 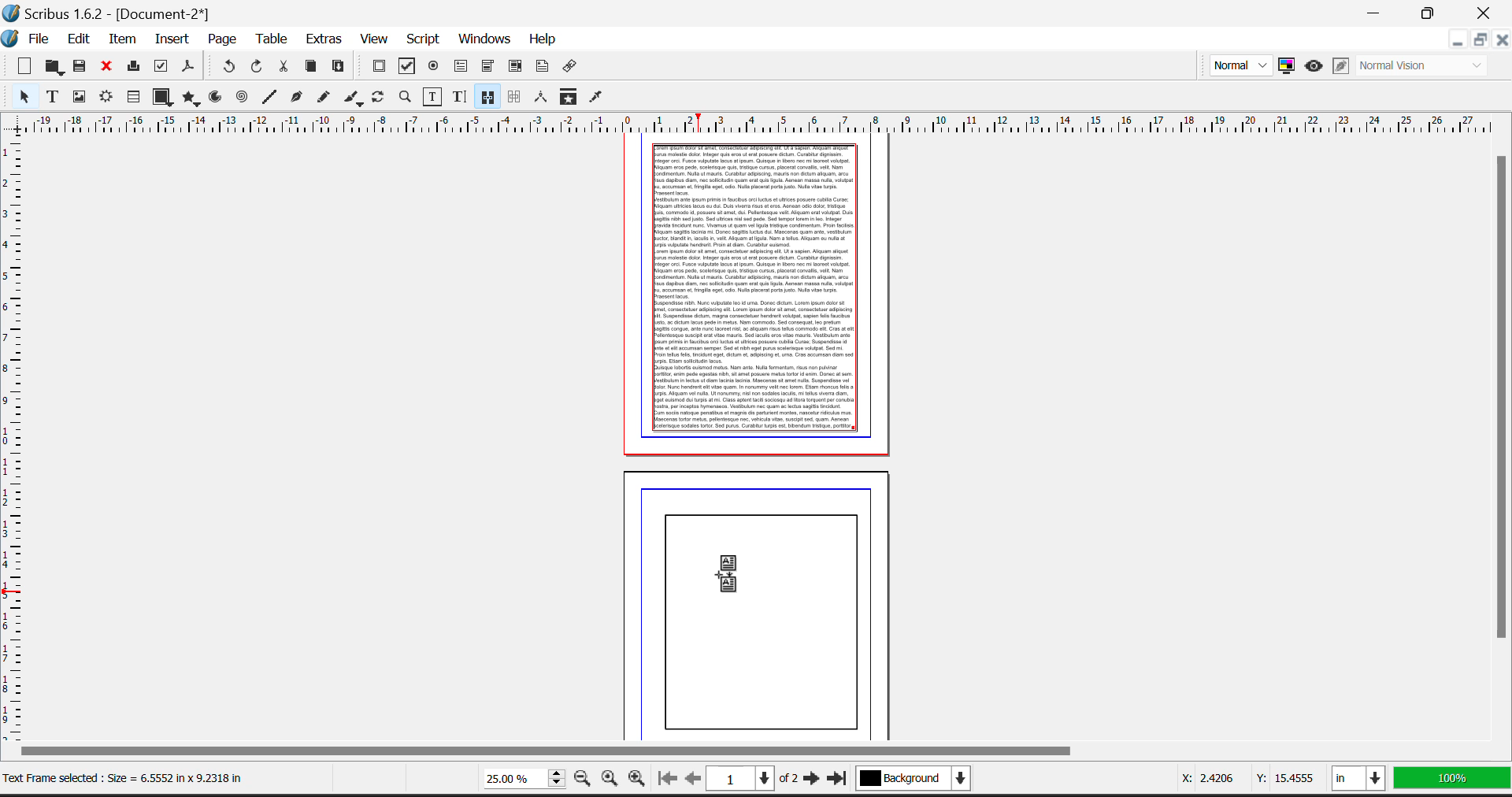 I want to click on Preview Mode, so click(x=1313, y=66).